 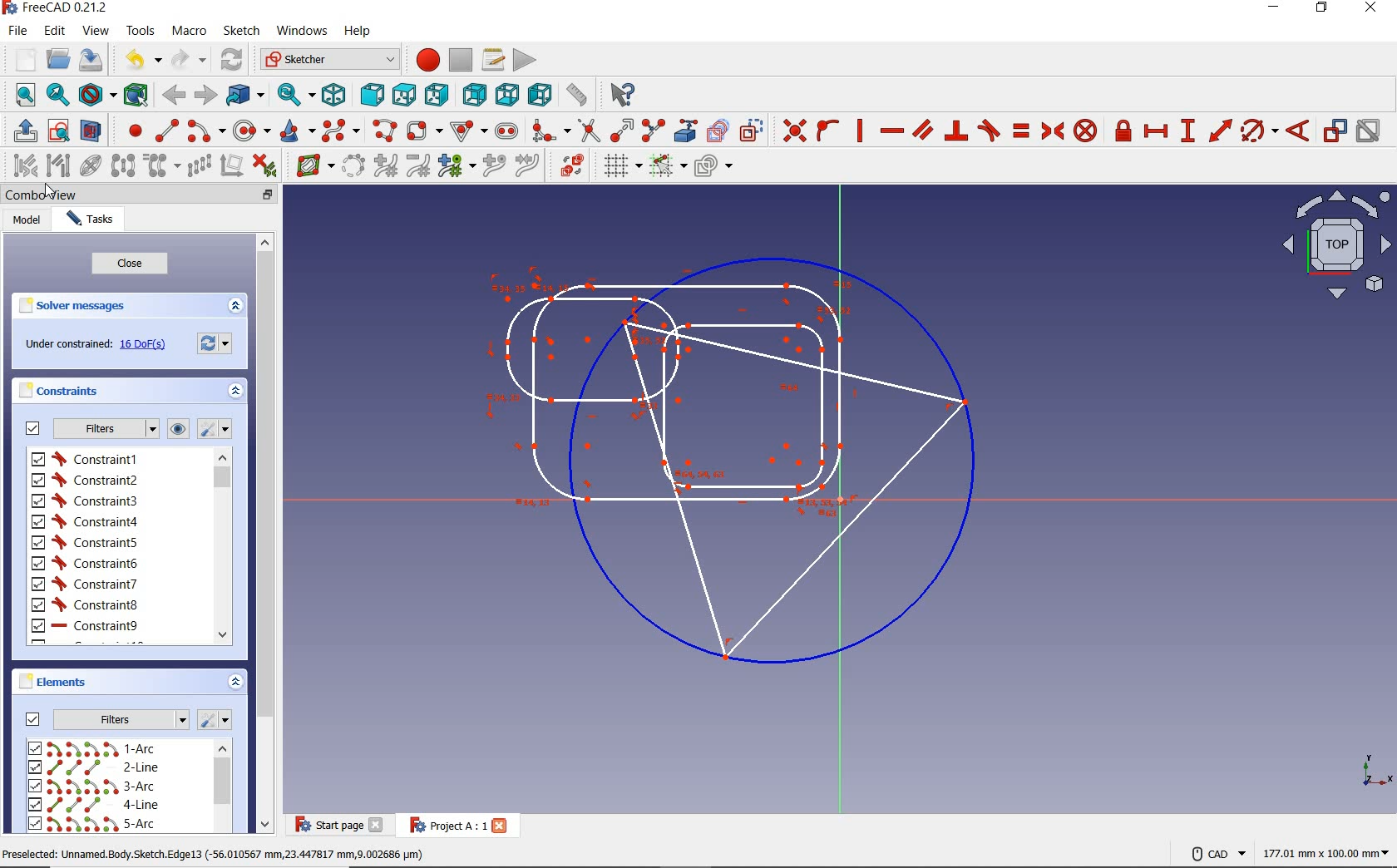 What do you see at coordinates (230, 60) in the screenshot?
I see `reload` at bounding box center [230, 60].